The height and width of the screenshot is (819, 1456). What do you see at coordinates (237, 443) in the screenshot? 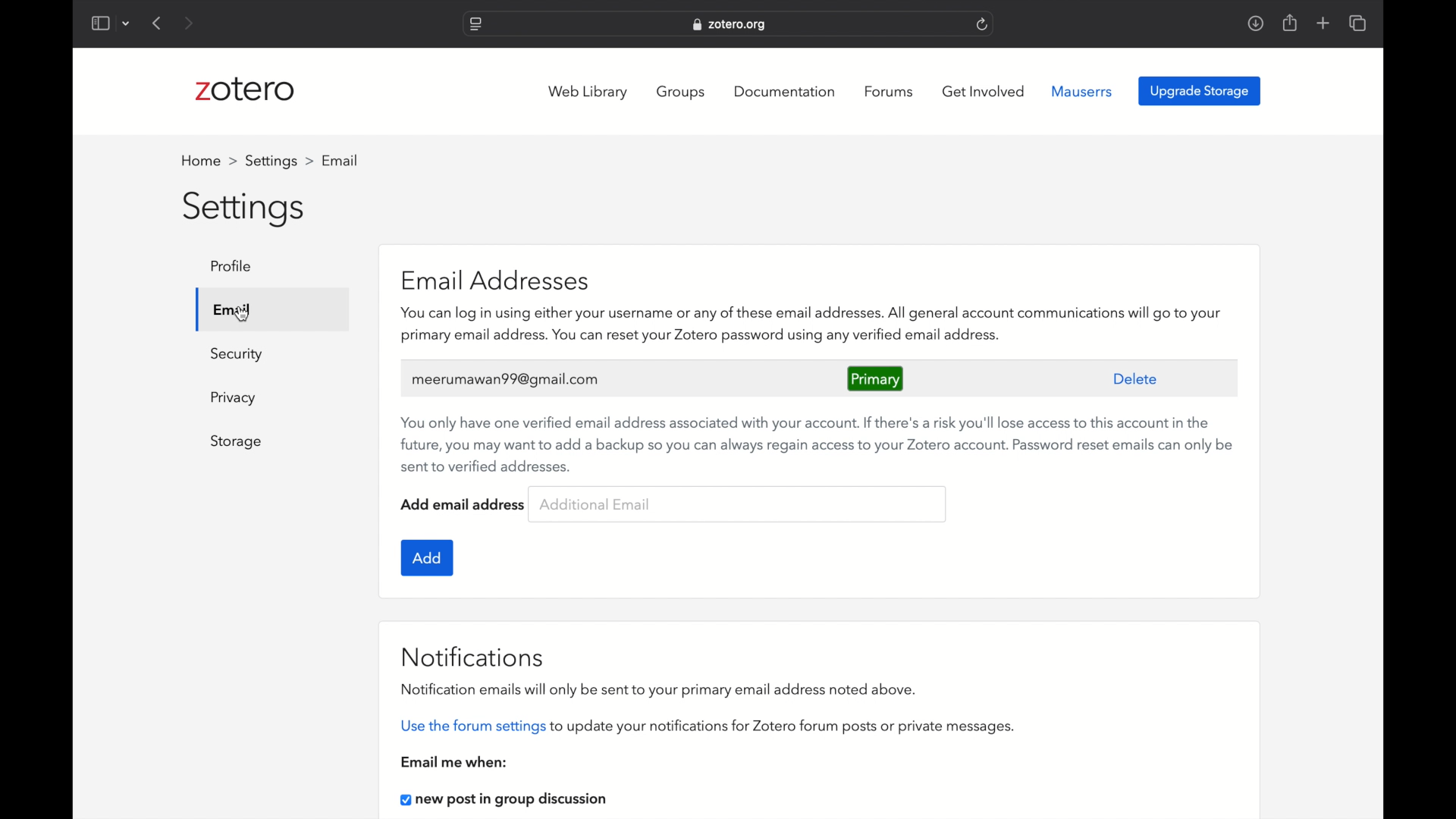
I see `storage` at bounding box center [237, 443].